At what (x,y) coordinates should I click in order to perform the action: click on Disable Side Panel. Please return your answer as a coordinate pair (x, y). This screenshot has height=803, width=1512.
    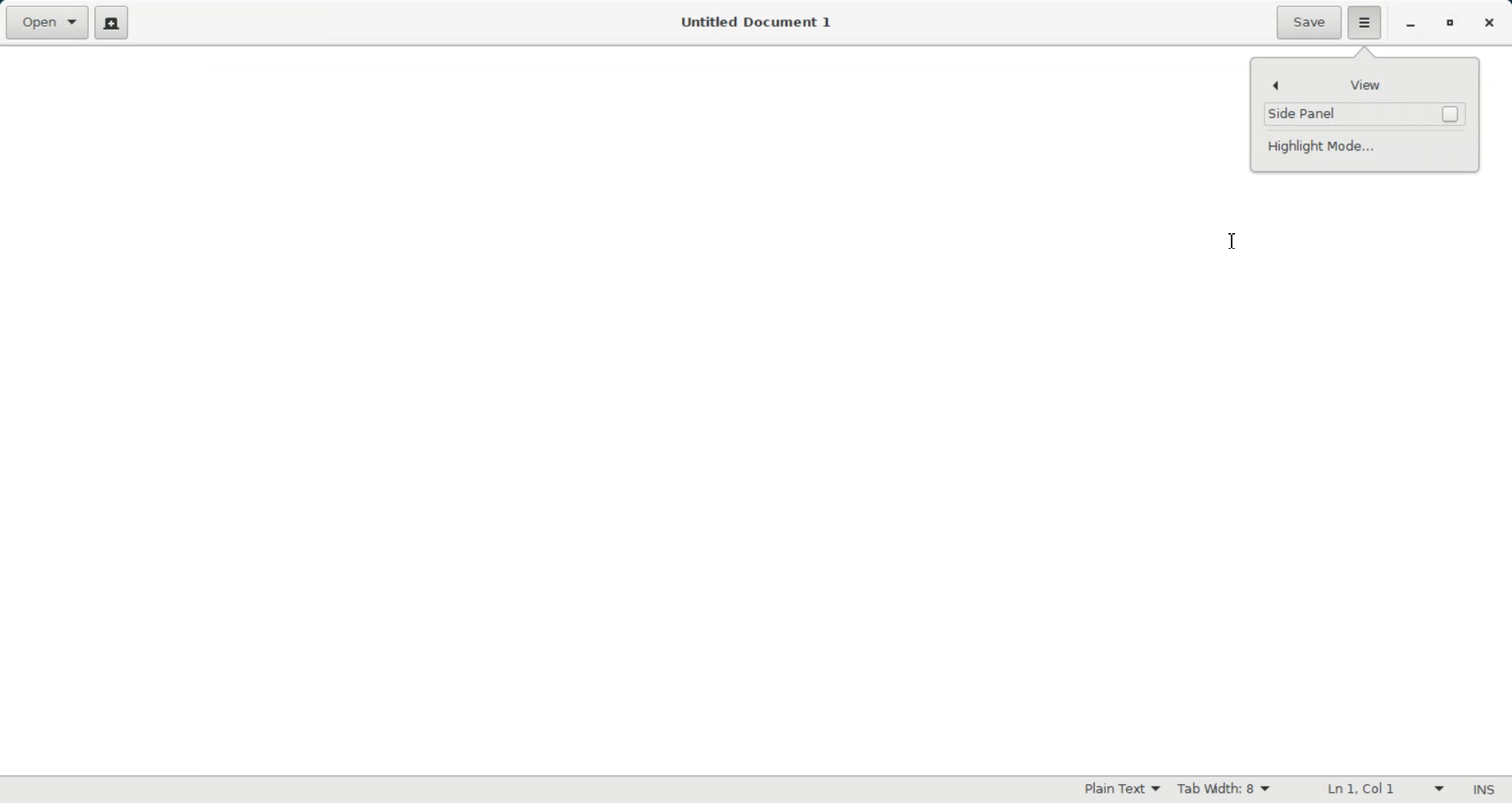
    Looking at the image, I should click on (1363, 113).